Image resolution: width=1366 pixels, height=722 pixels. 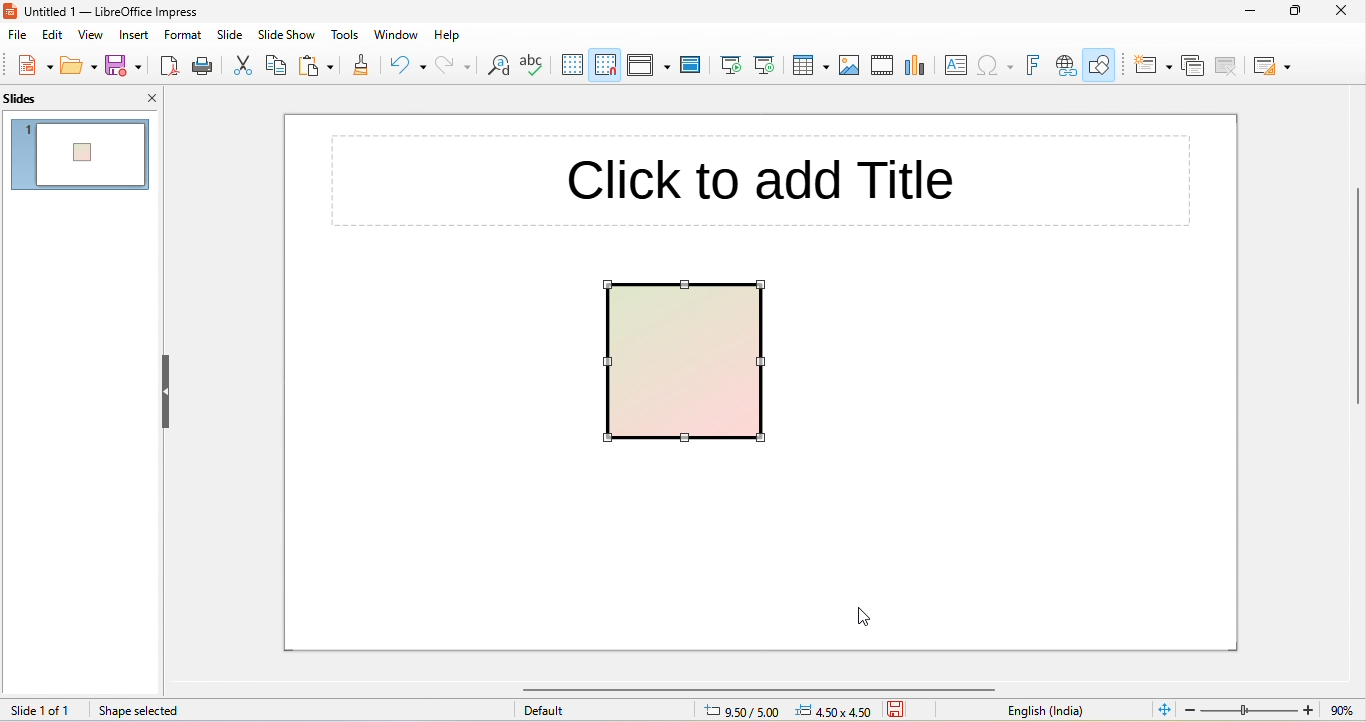 What do you see at coordinates (242, 64) in the screenshot?
I see `cut` at bounding box center [242, 64].